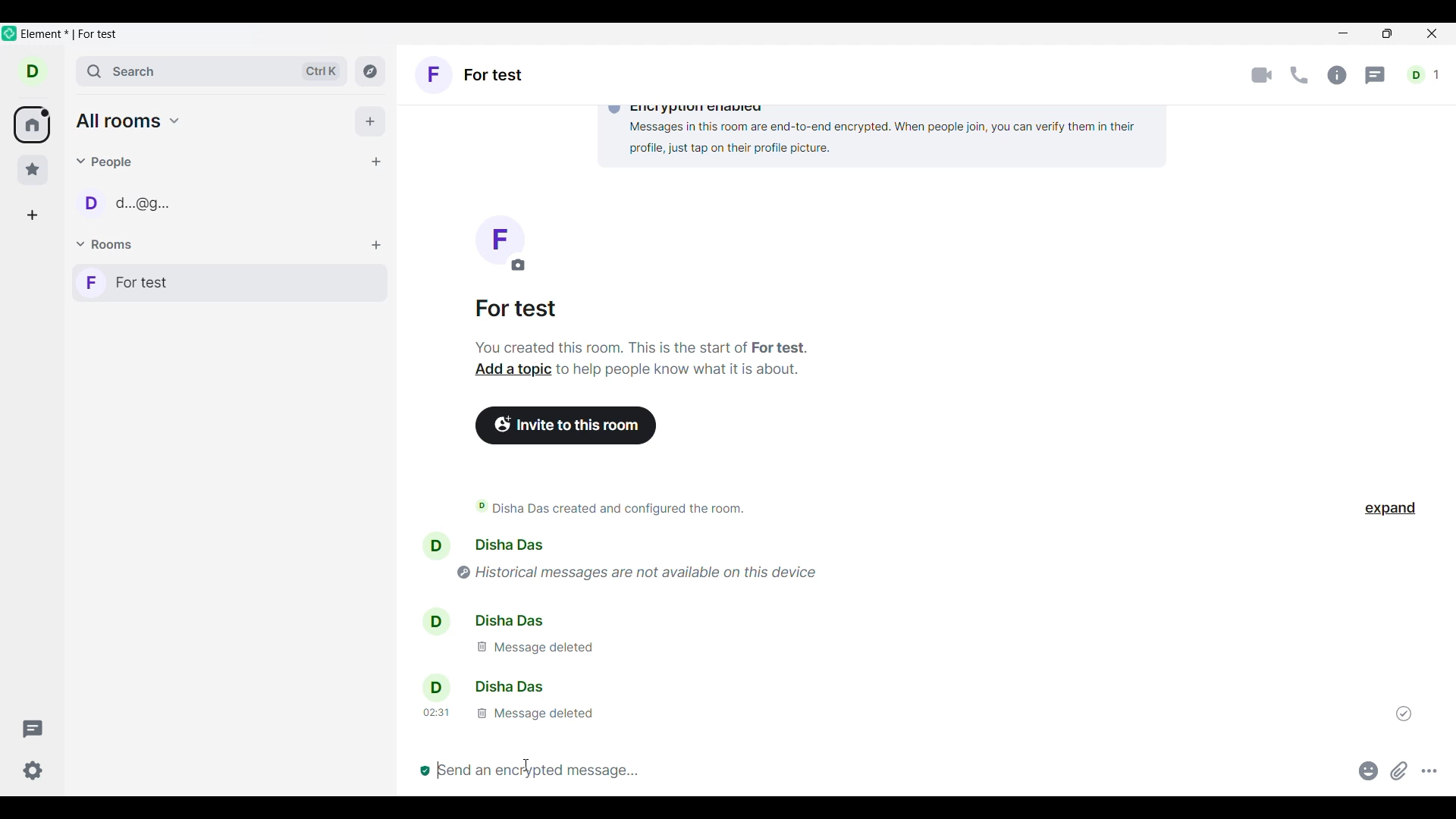 This screenshot has height=819, width=1456. I want to click on d1, so click(1425, 75).